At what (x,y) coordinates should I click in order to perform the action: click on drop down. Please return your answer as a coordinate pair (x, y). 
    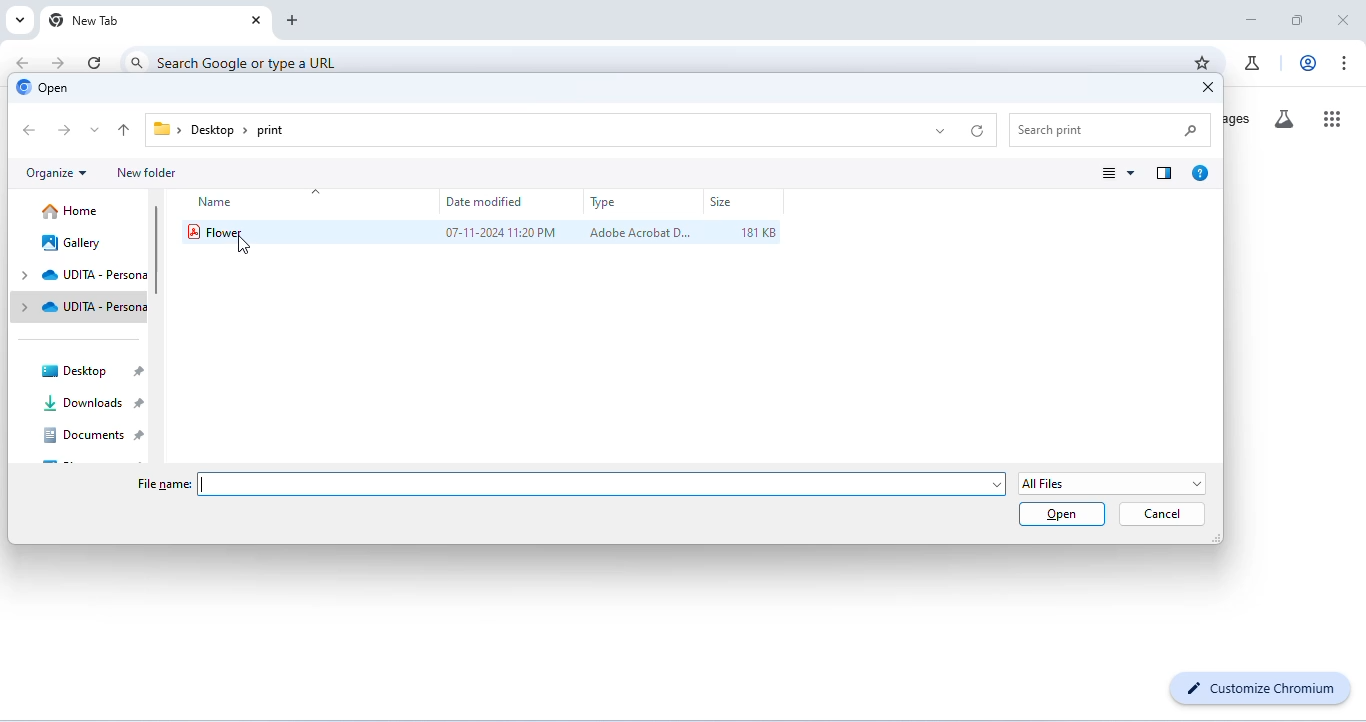
    Looking at the image, I should click on (319, 193).